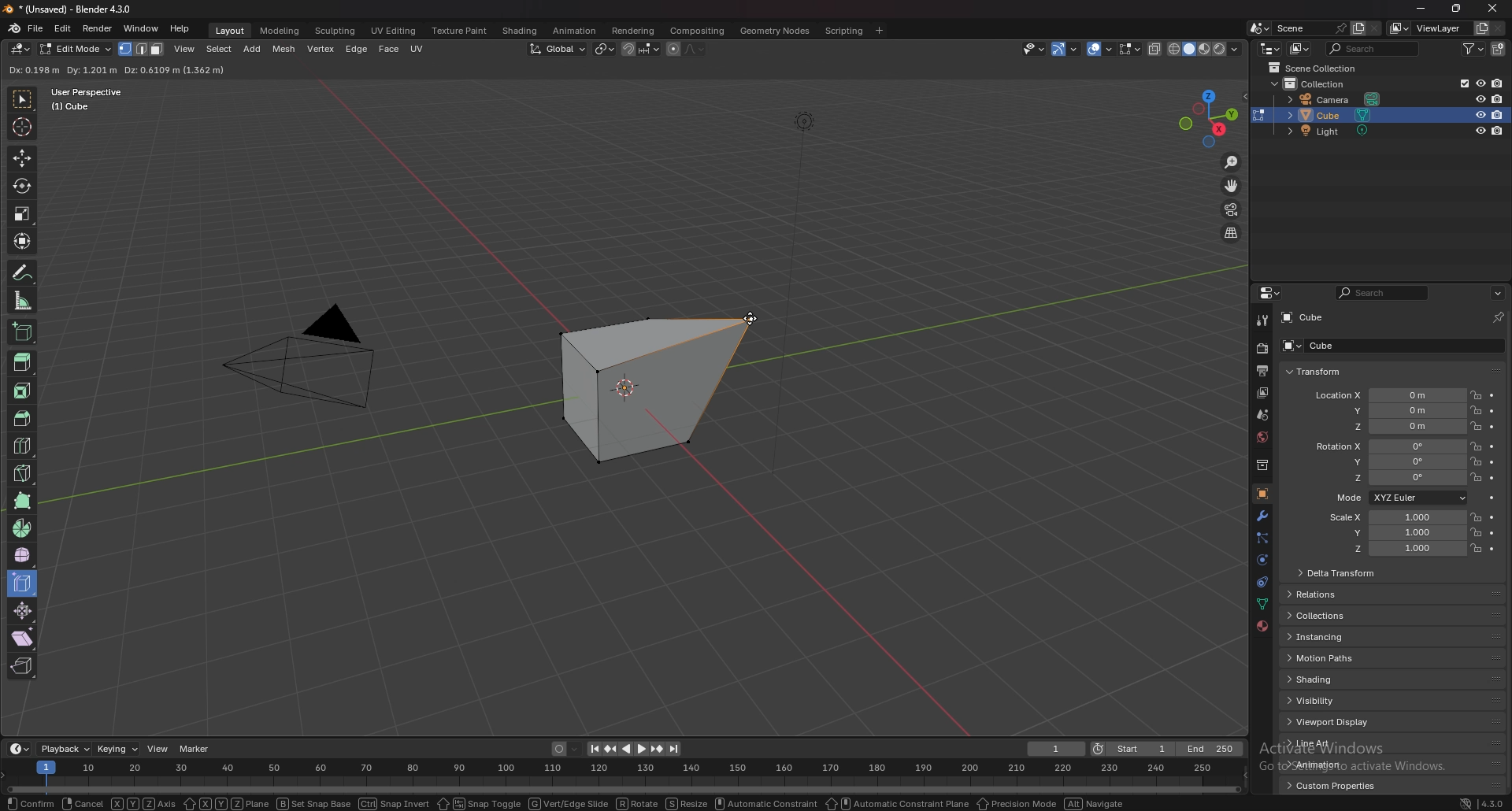 This screenshot has width=1512, height=811. Describe the element at coordinates (23, 610) in the screenshot. I see `shrink` at that location.